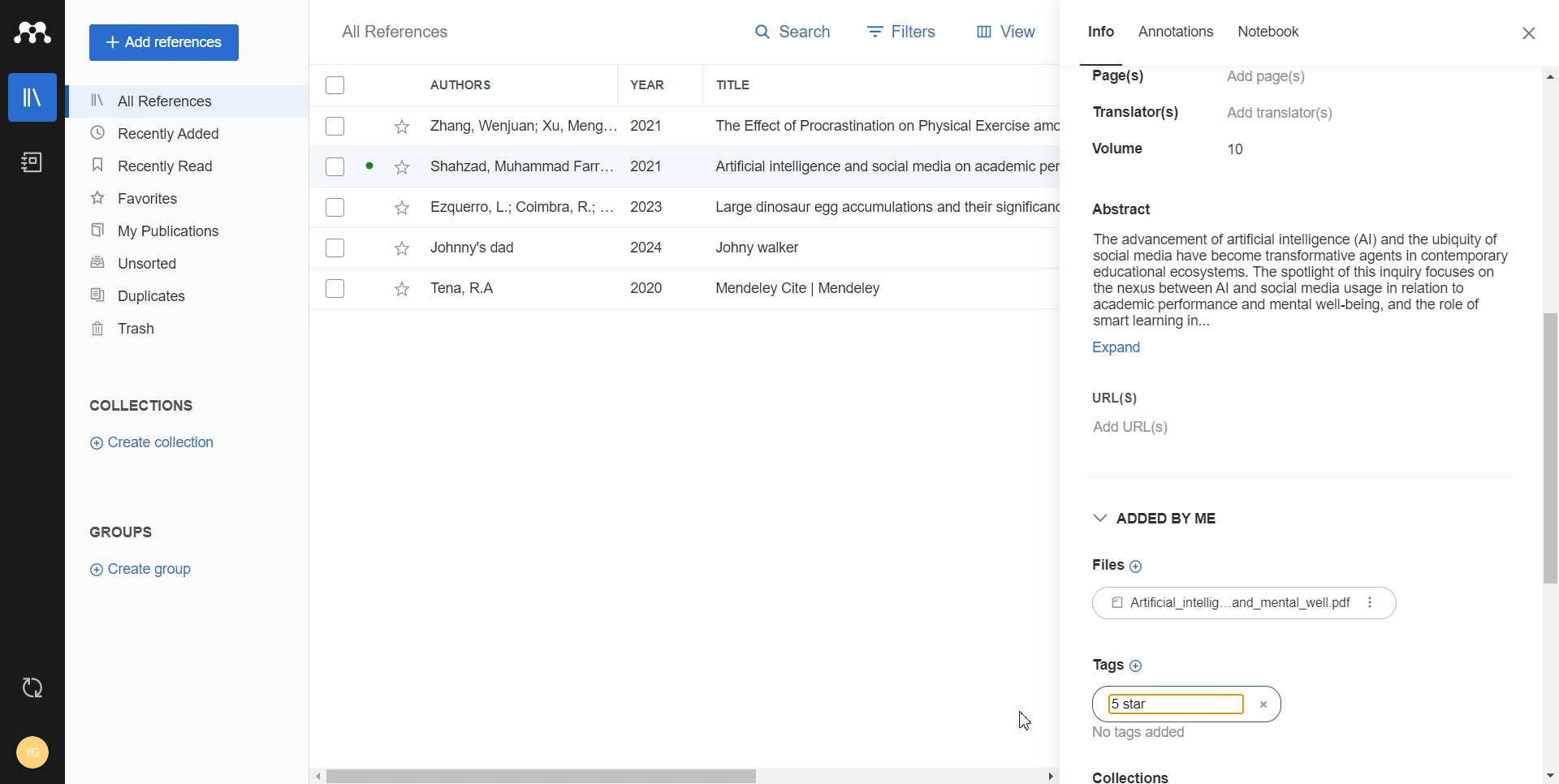  I want to click on Title, so click(752, 85).